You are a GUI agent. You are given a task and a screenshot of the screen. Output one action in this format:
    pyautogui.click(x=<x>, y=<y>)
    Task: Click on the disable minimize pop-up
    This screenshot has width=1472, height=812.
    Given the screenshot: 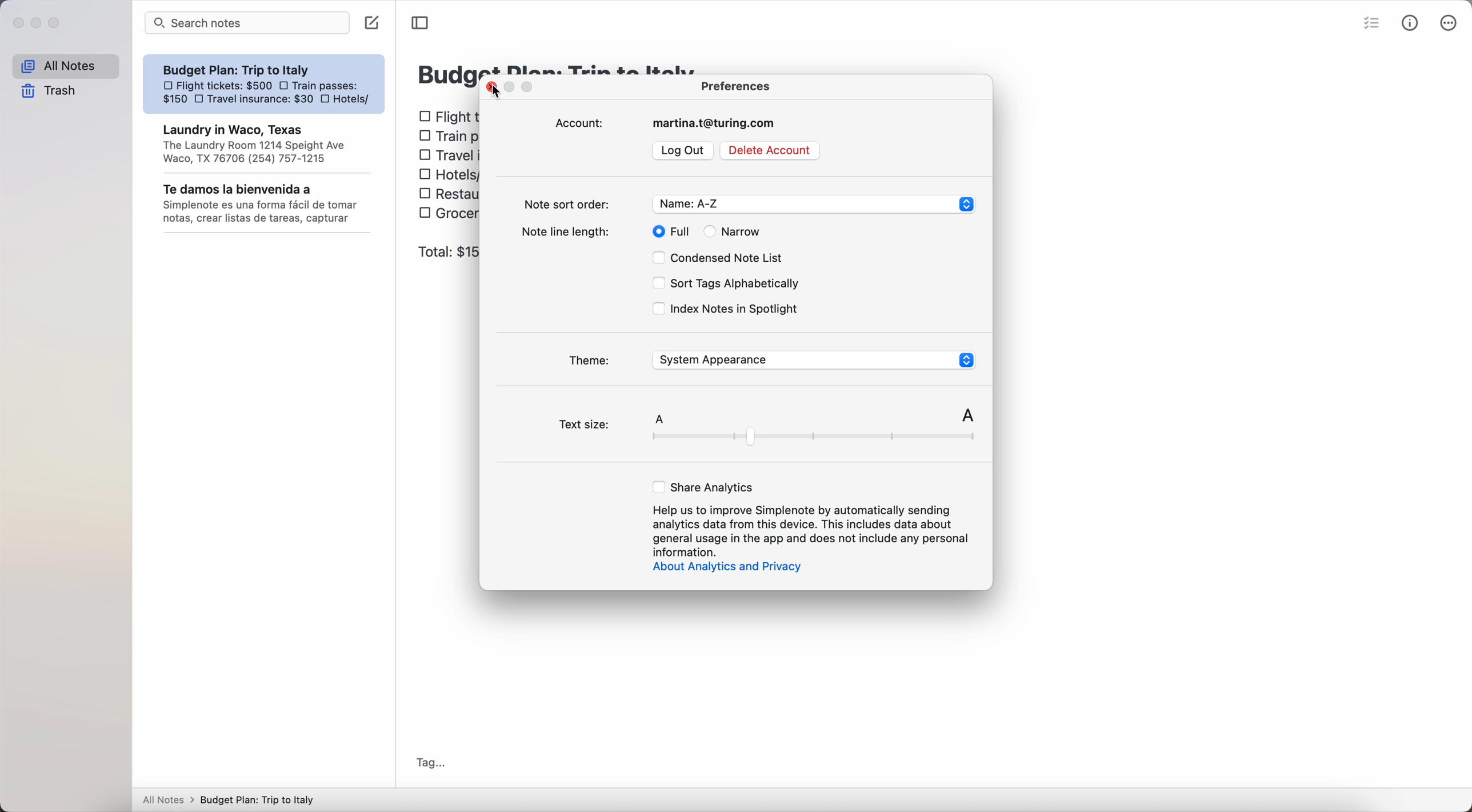 What is the action you would take?
    pyautogui.click(x=511, y=87)
    